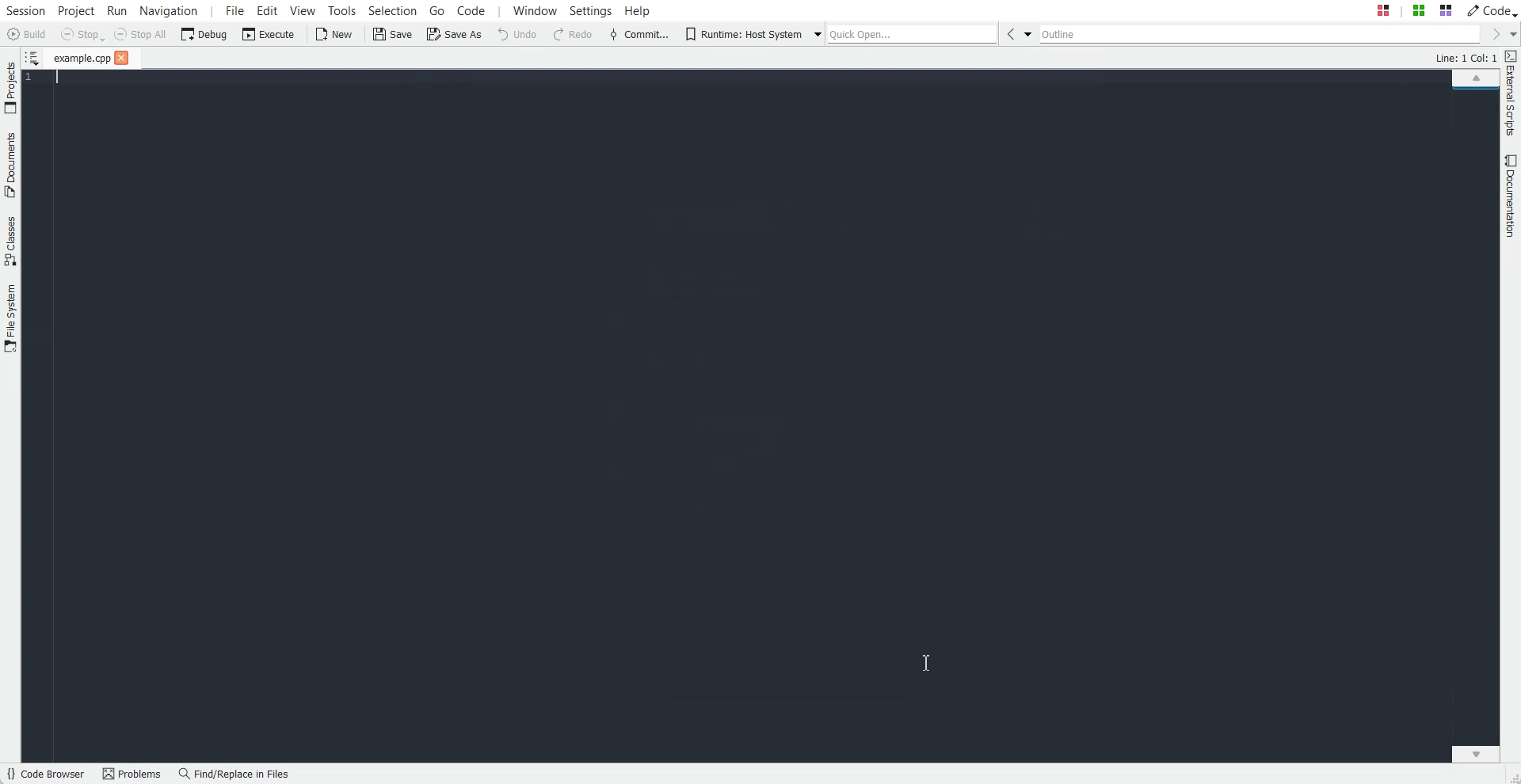 This screenshot has width=1521, height=784. Describe the element at coordinates (269, 34) in the screenshot. I see `Execute` at that location.